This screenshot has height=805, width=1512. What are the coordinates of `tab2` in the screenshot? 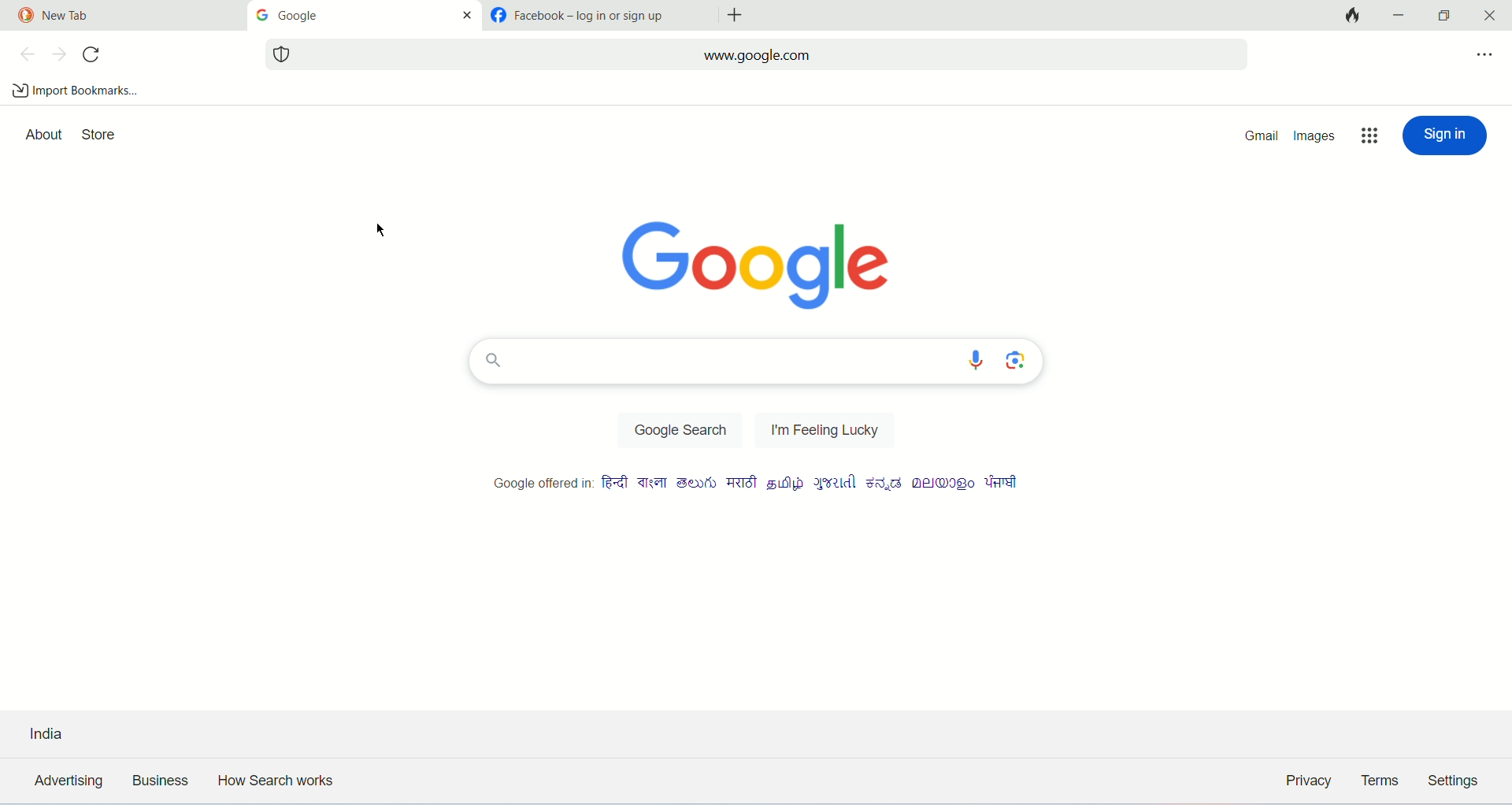 It's located at (365, 18).